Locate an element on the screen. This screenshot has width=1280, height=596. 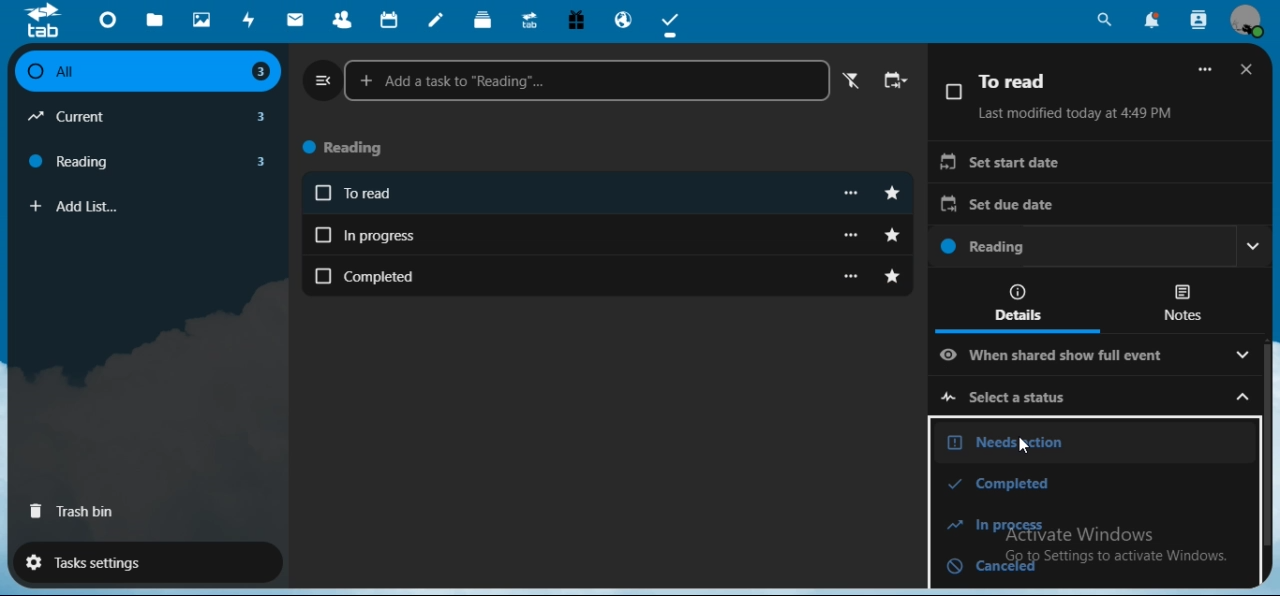
More is located at coordinates (1207, 69).